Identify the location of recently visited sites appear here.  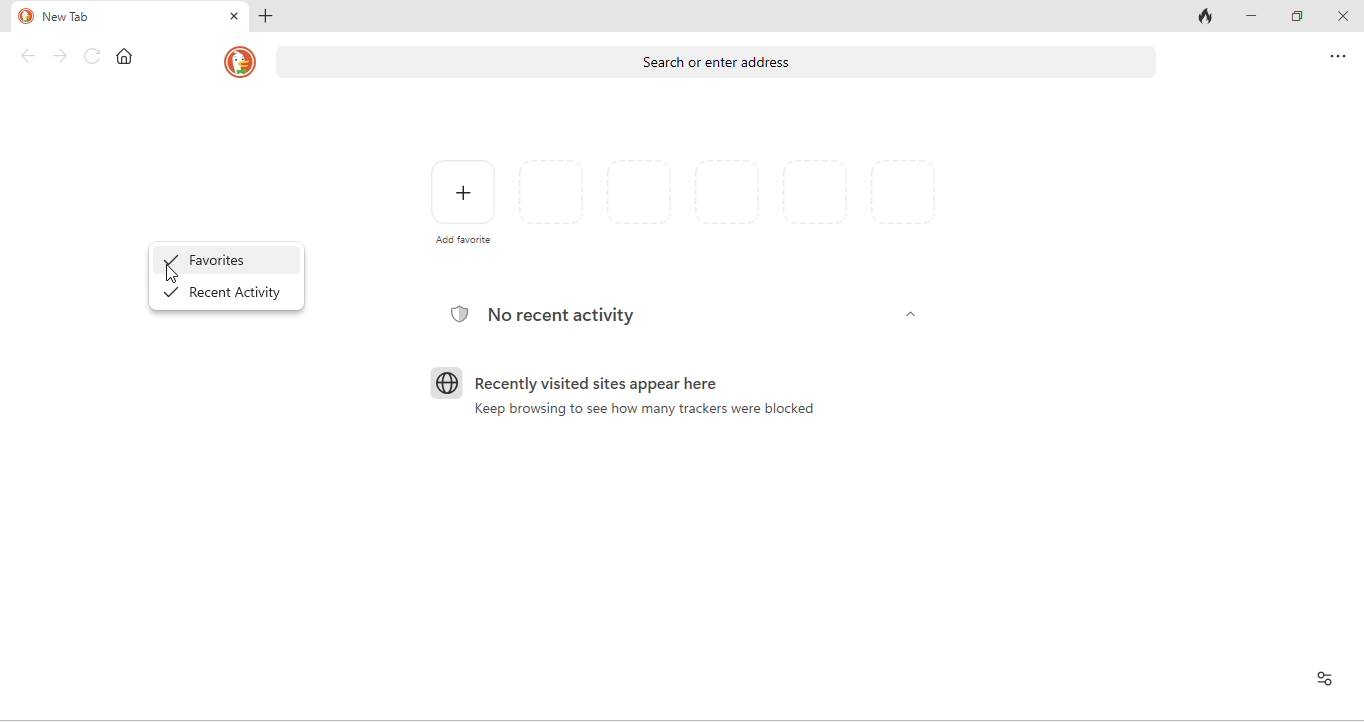
(610, 385).